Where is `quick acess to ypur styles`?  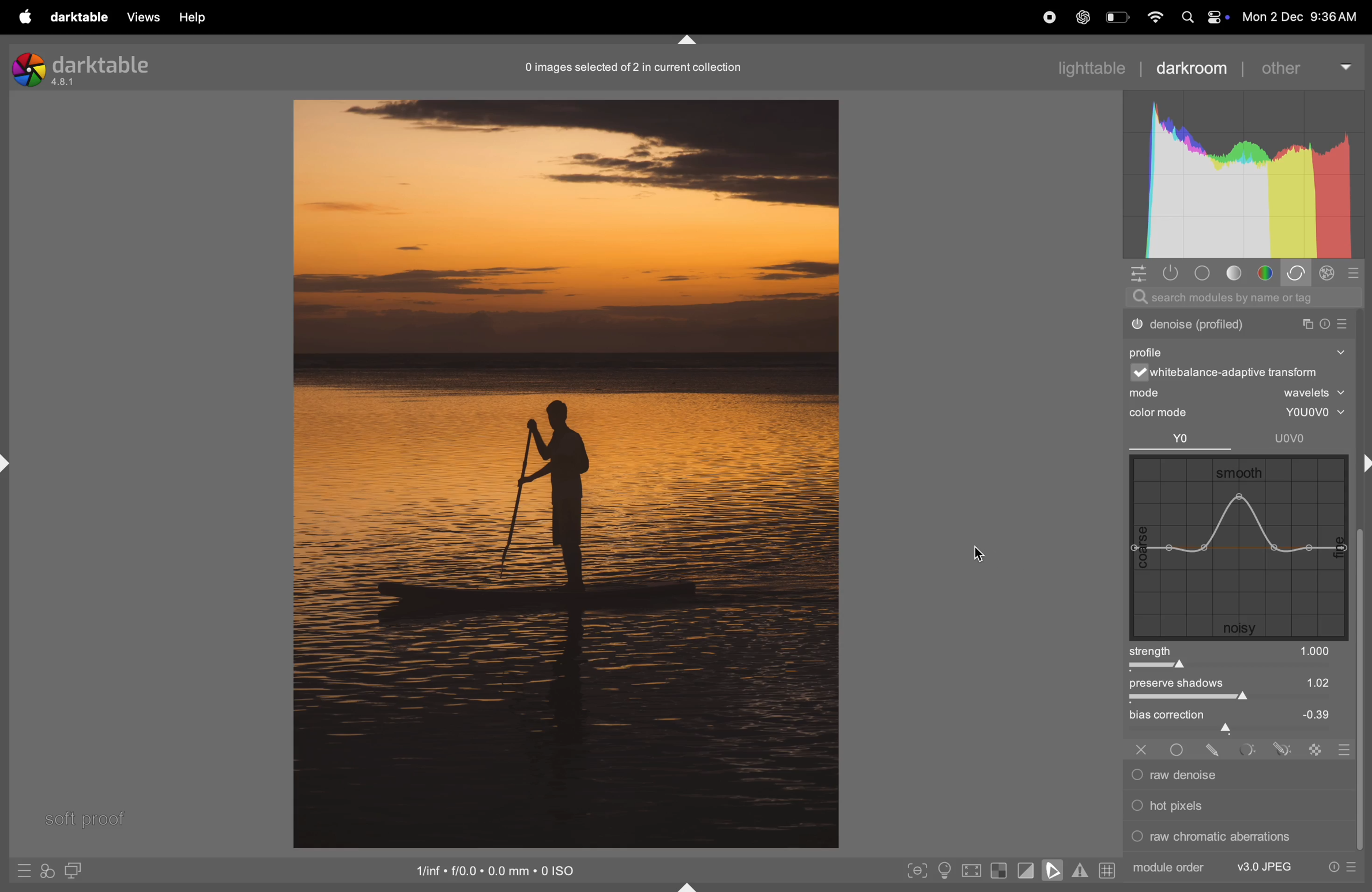
quick acess to ypur styles is located at coordinates (47, 872).